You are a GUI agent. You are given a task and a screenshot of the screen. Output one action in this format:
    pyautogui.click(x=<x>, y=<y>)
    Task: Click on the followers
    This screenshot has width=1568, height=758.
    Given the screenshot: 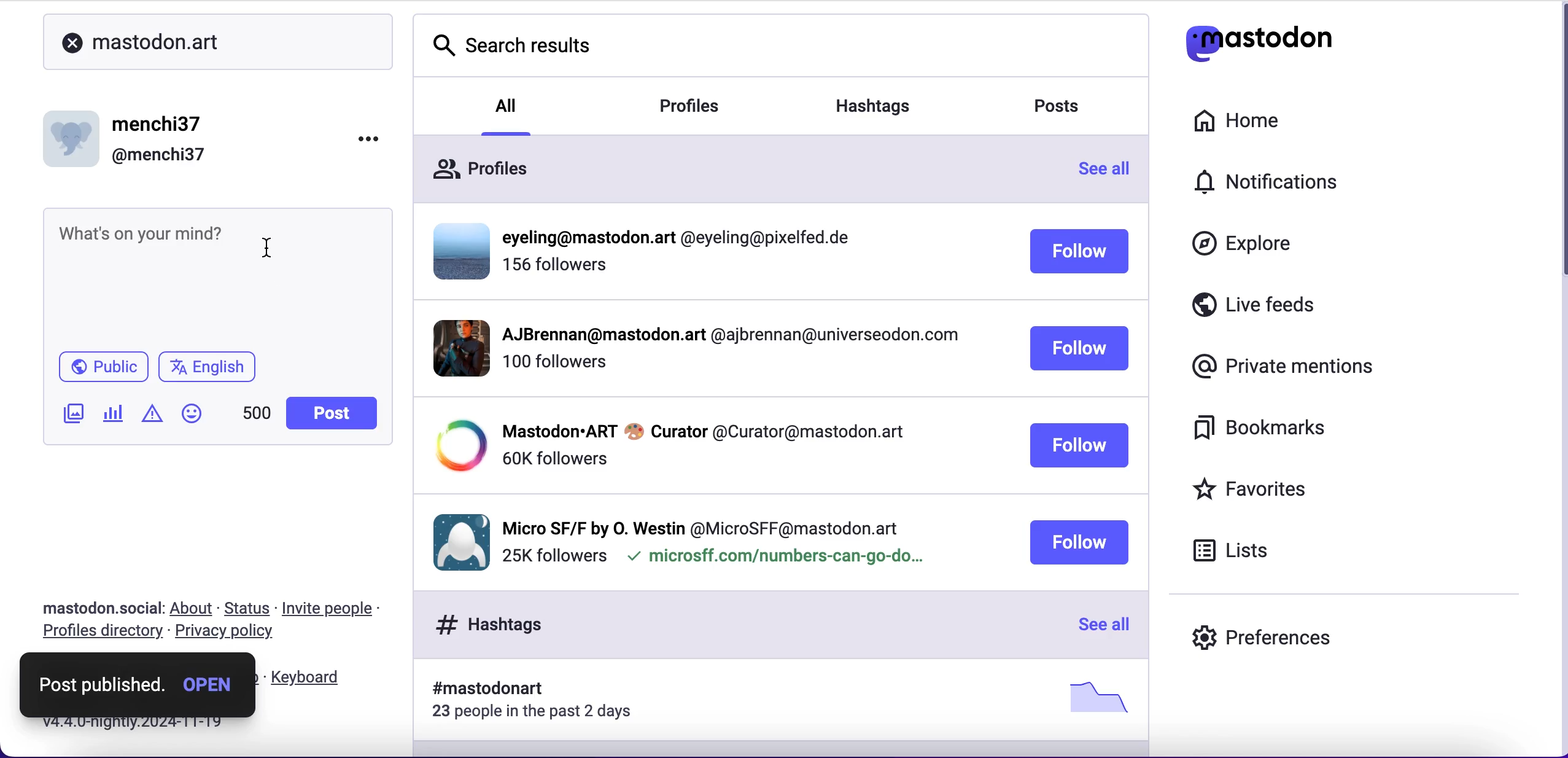 What is the action you would take?
    pyautogui.click(x=553, y=557)
    